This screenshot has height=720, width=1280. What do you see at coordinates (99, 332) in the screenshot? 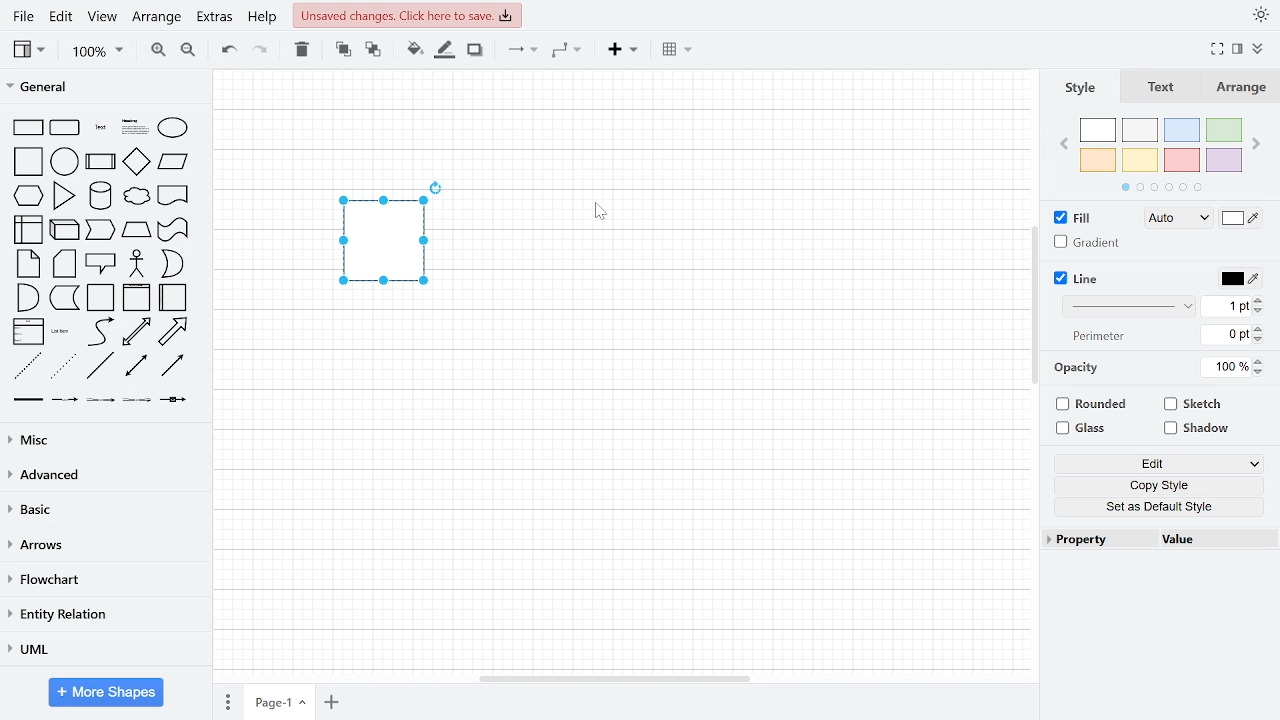
I see `curve` at bounding box center [99, 332].